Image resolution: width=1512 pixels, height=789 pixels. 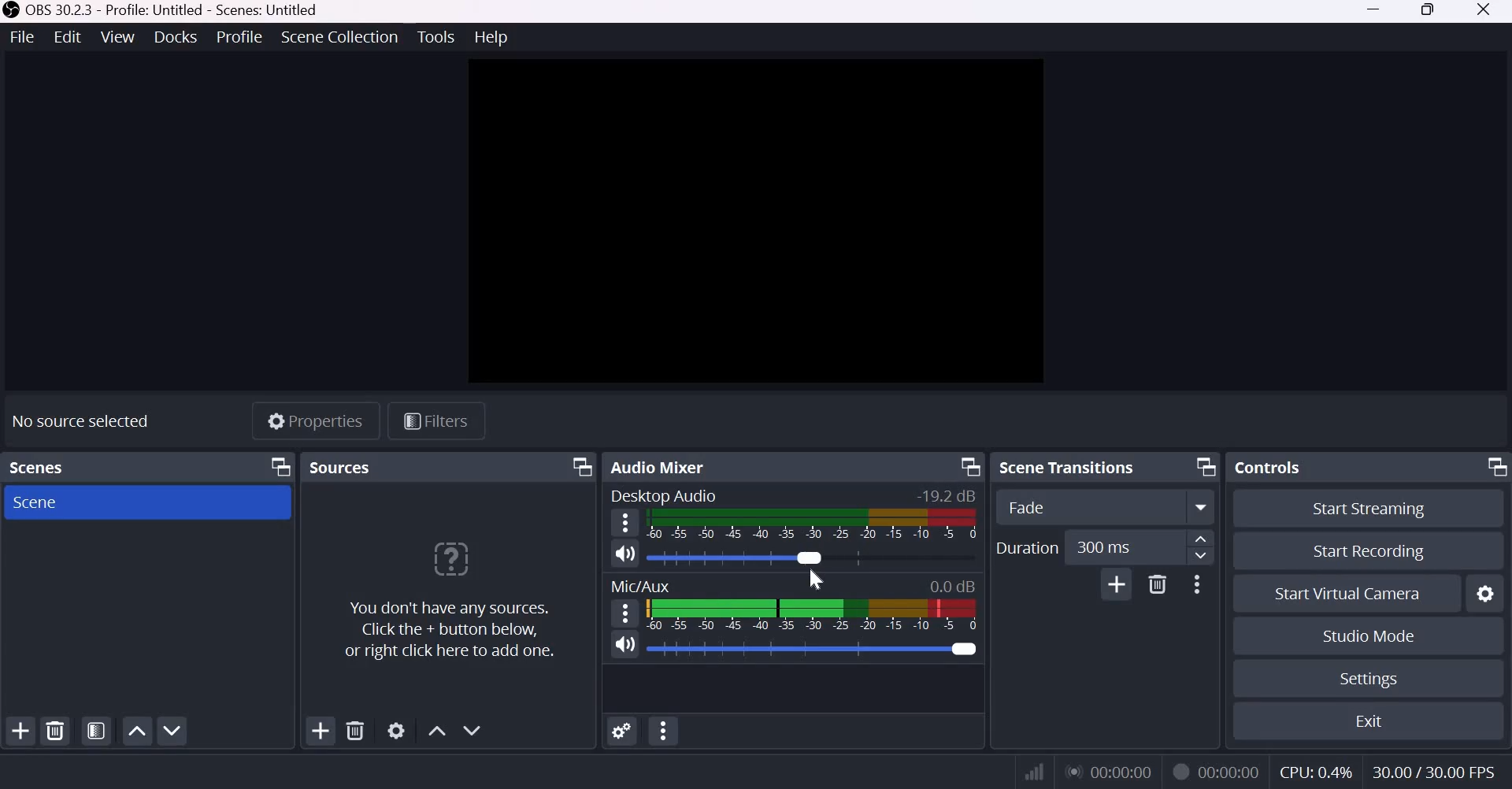 What do you see at coordinates (1486, 593) in the screenshot?
I see `Configure virtual camera` at bounding box center [1486, 593].